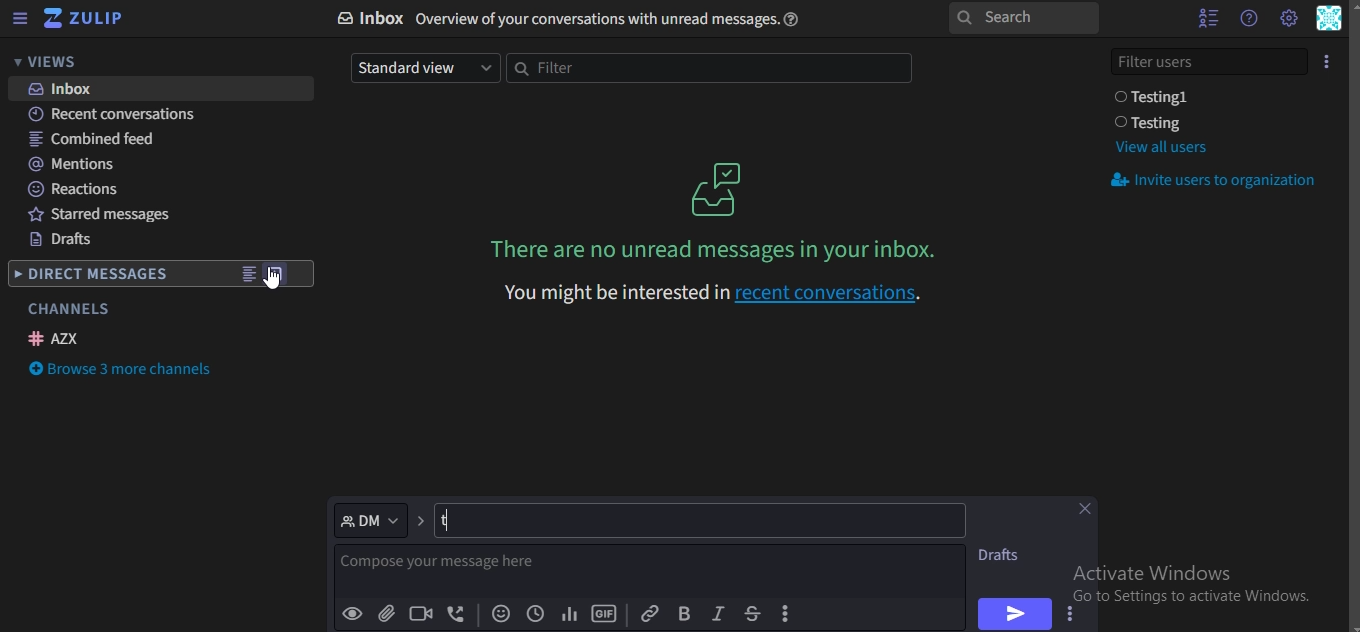 The image size is (1360, 632). What do you see at coordinates (1328, 60) in the screenshot?
I see `icon` at bounding box center [1328, 60].